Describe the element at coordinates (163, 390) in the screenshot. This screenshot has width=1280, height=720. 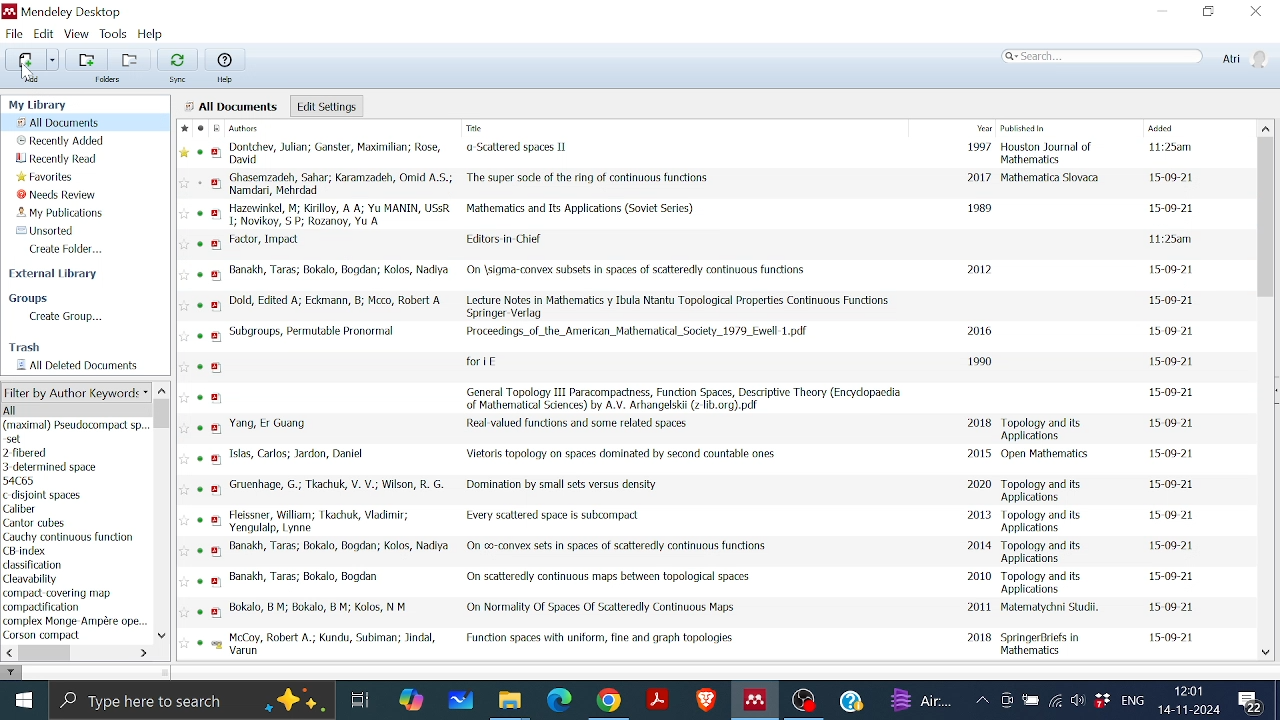
I see `Move up in filter by author keyword` at that location.